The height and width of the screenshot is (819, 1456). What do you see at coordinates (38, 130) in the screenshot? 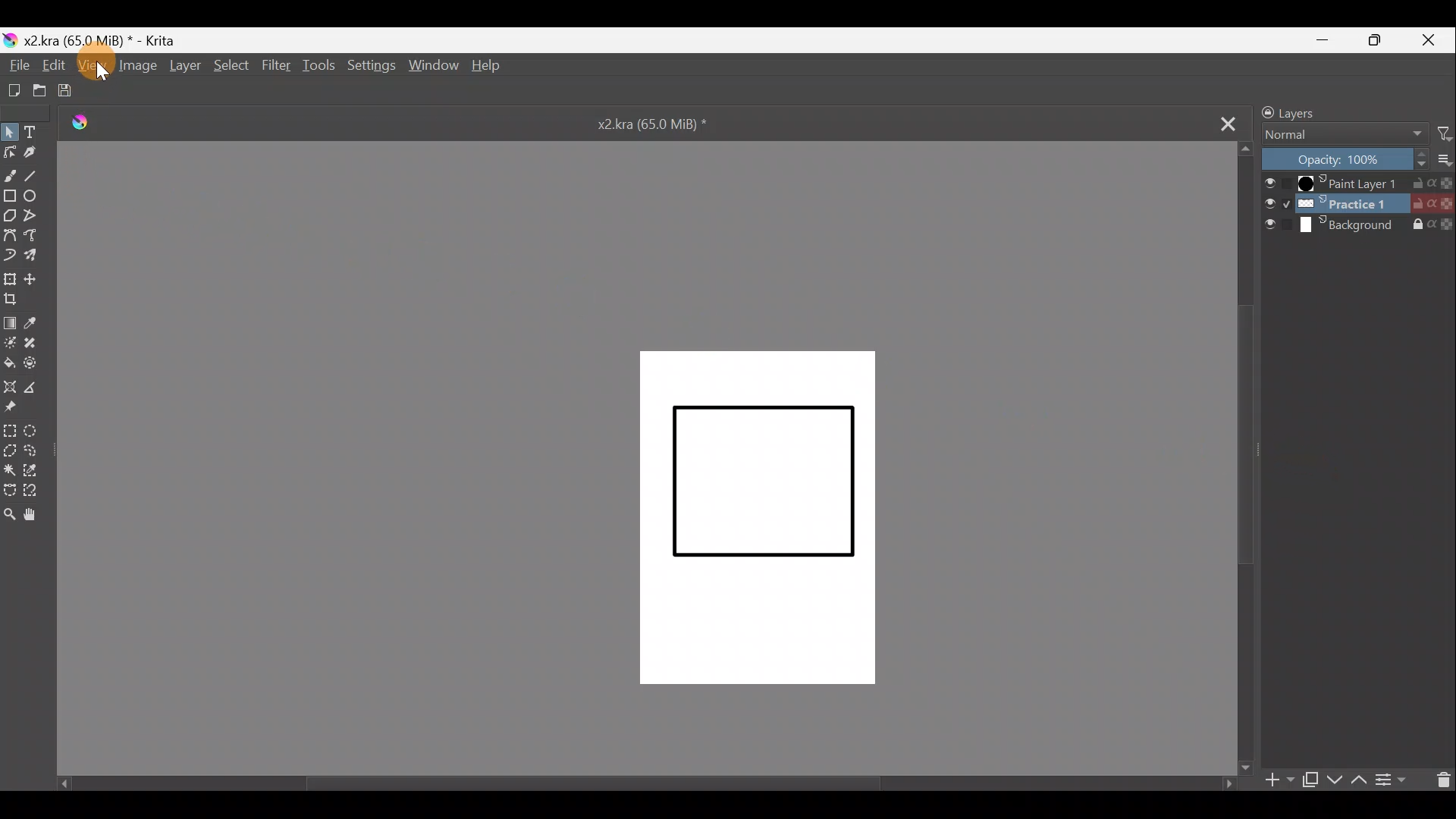
I see `Text tool` at bounding box center [38, 130].